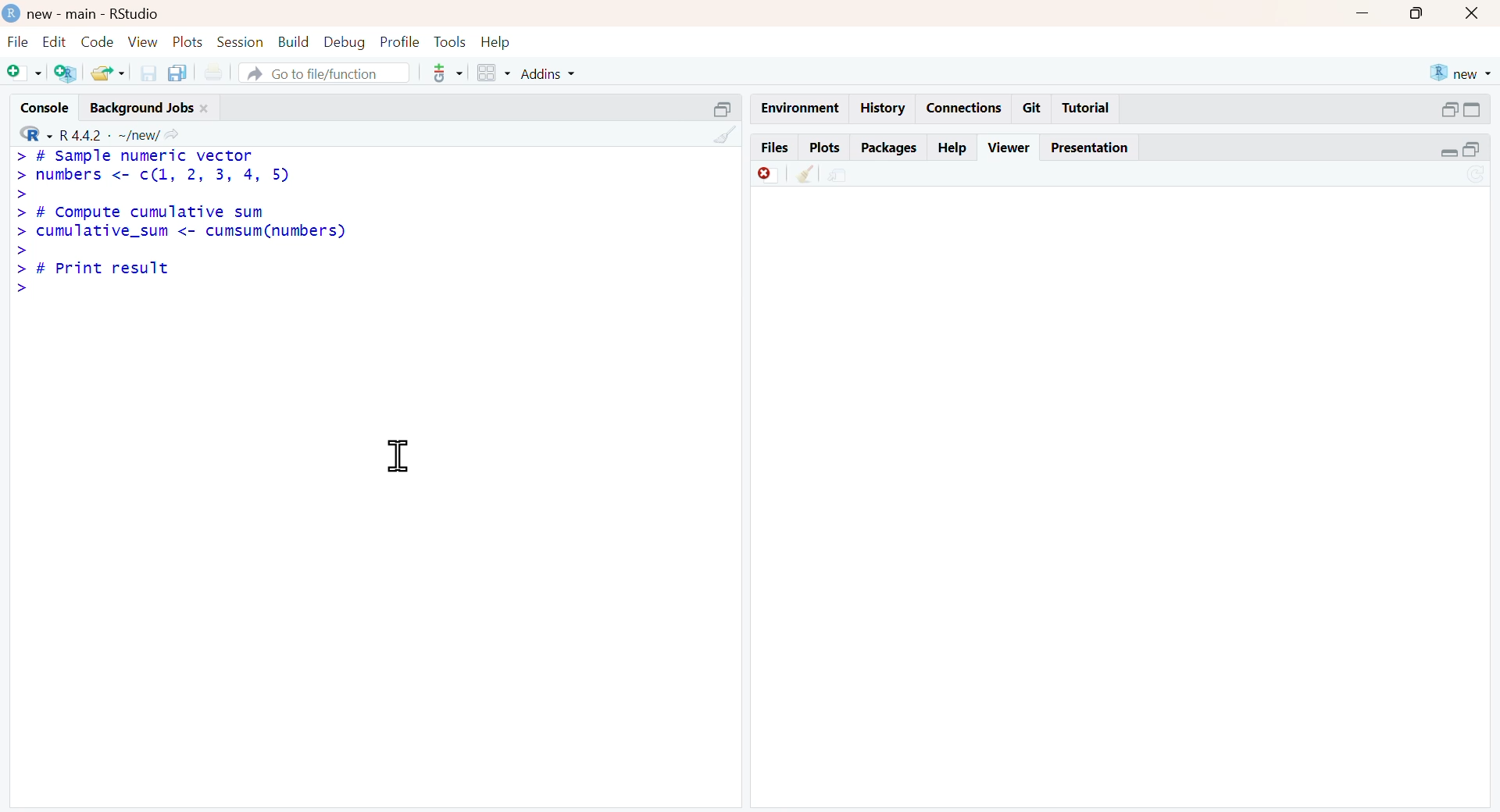 The image size is (1500, 812). Describe the element at coordinates (1364, 12) in the screenshot. I see `minimize` at that location.